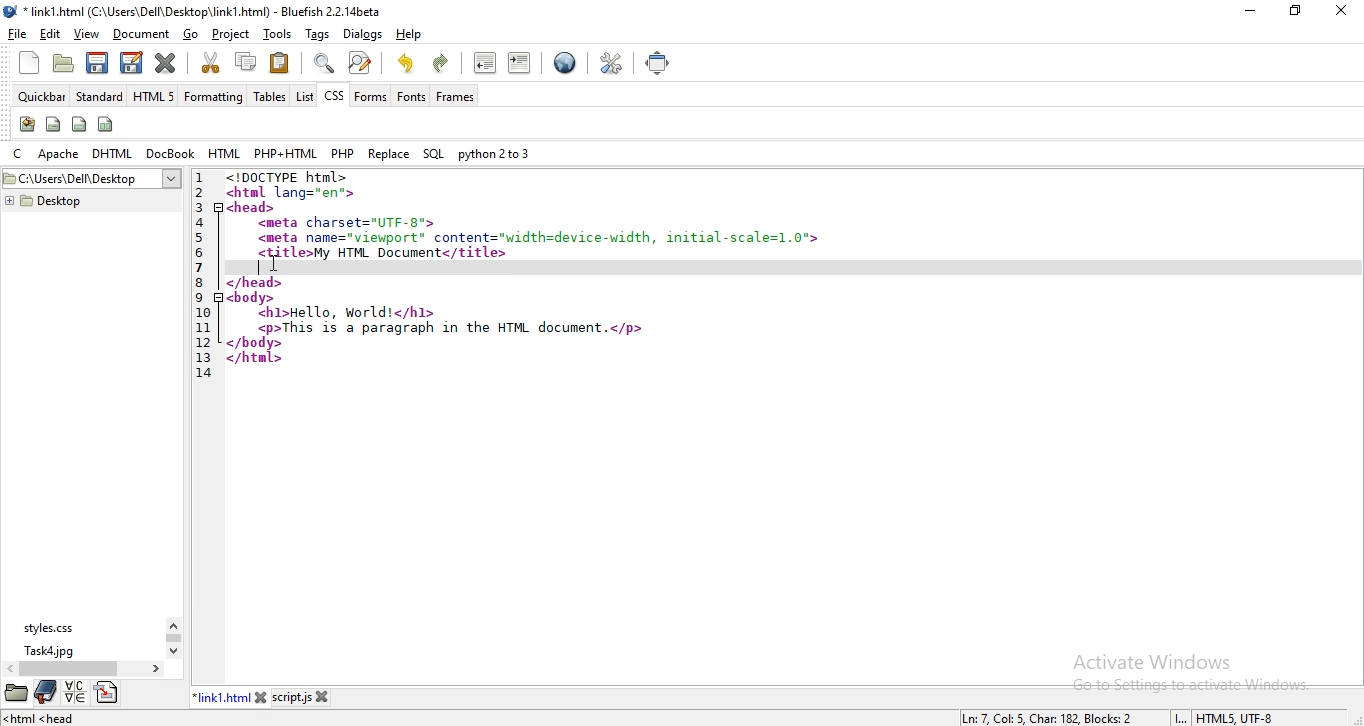 The width and height of the screenshot is (1364, 726). Describe the element at coordinates (199, 238) in the screenshot. I see `5` at that location.